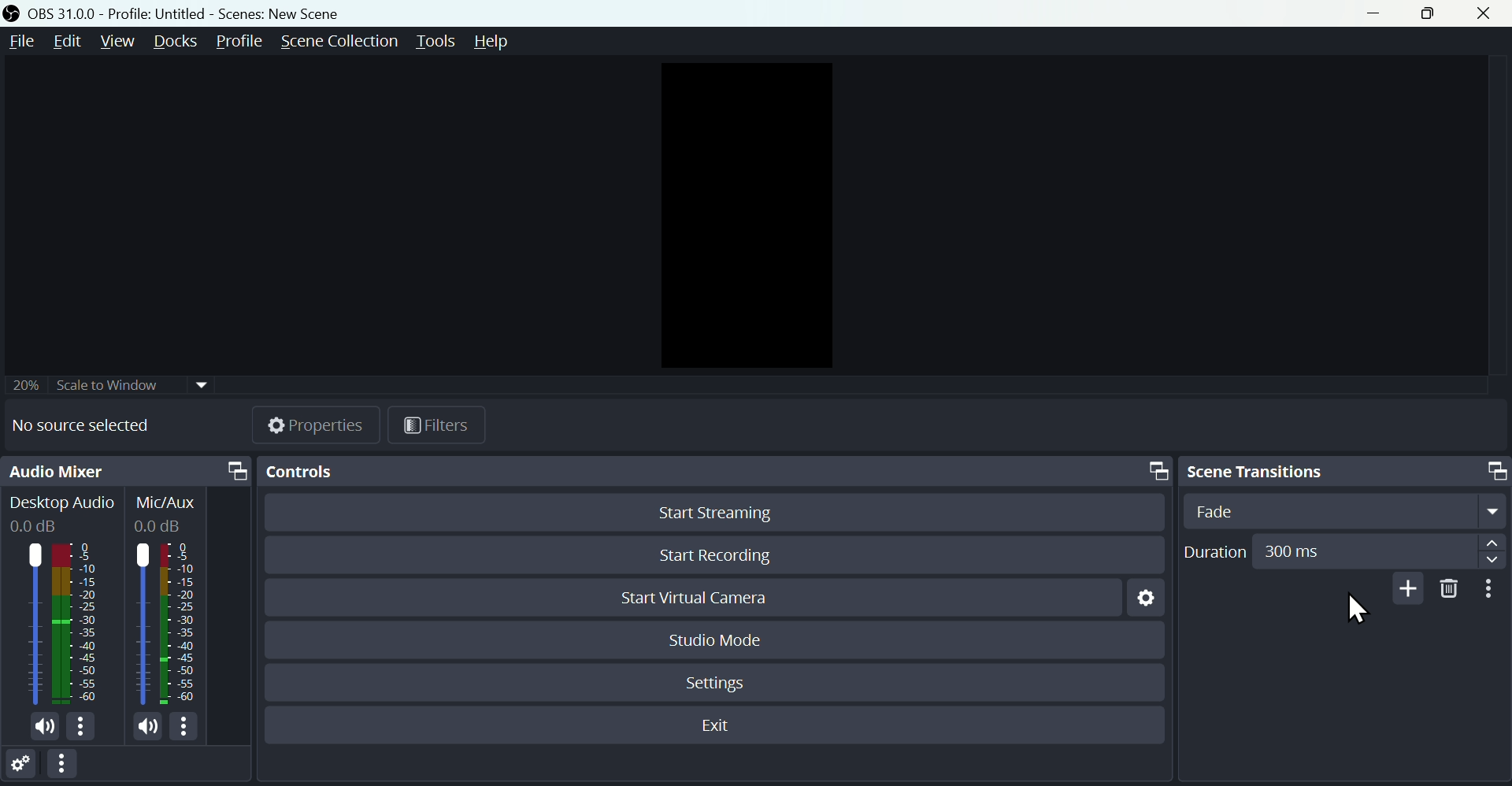 This screenshot has width=1512, height=786. Describe the element at coordinates (187, 729) in the screenshot. I see `More options` at that location.